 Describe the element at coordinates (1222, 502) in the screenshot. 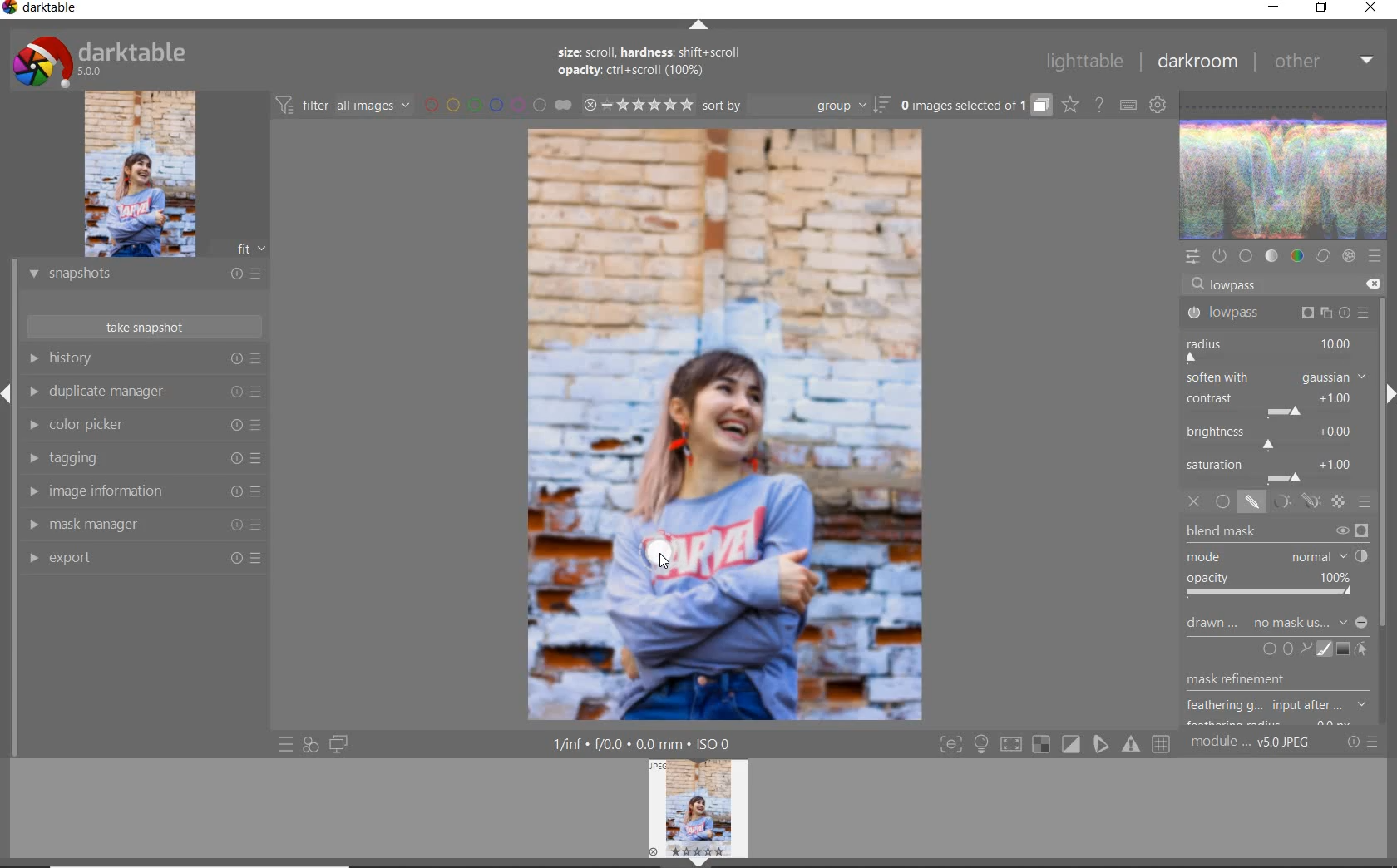

I see `uniformly` at that location.